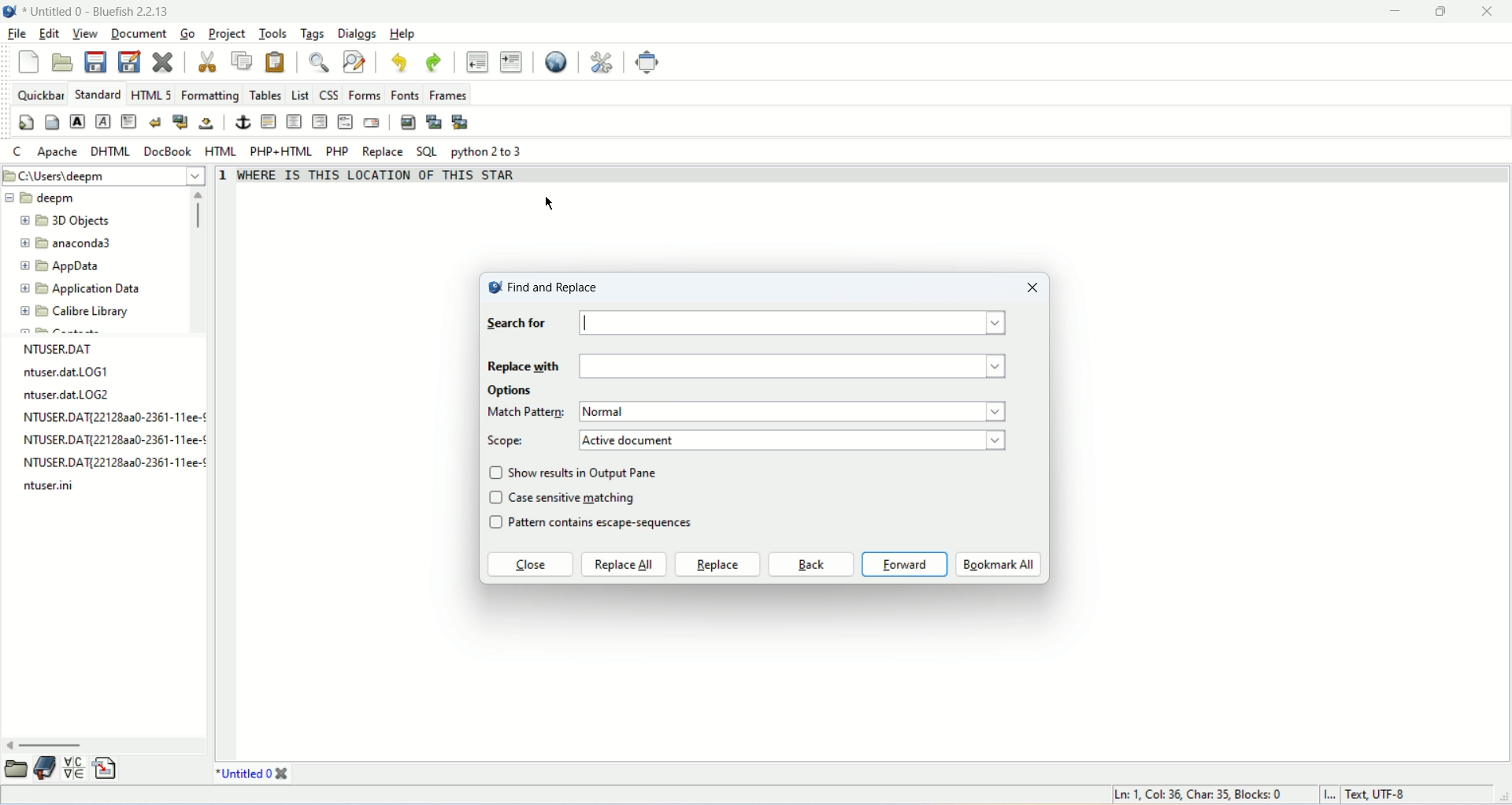 This screenshot has height=805, width=1512. I want to click on project, so click(227, 34).